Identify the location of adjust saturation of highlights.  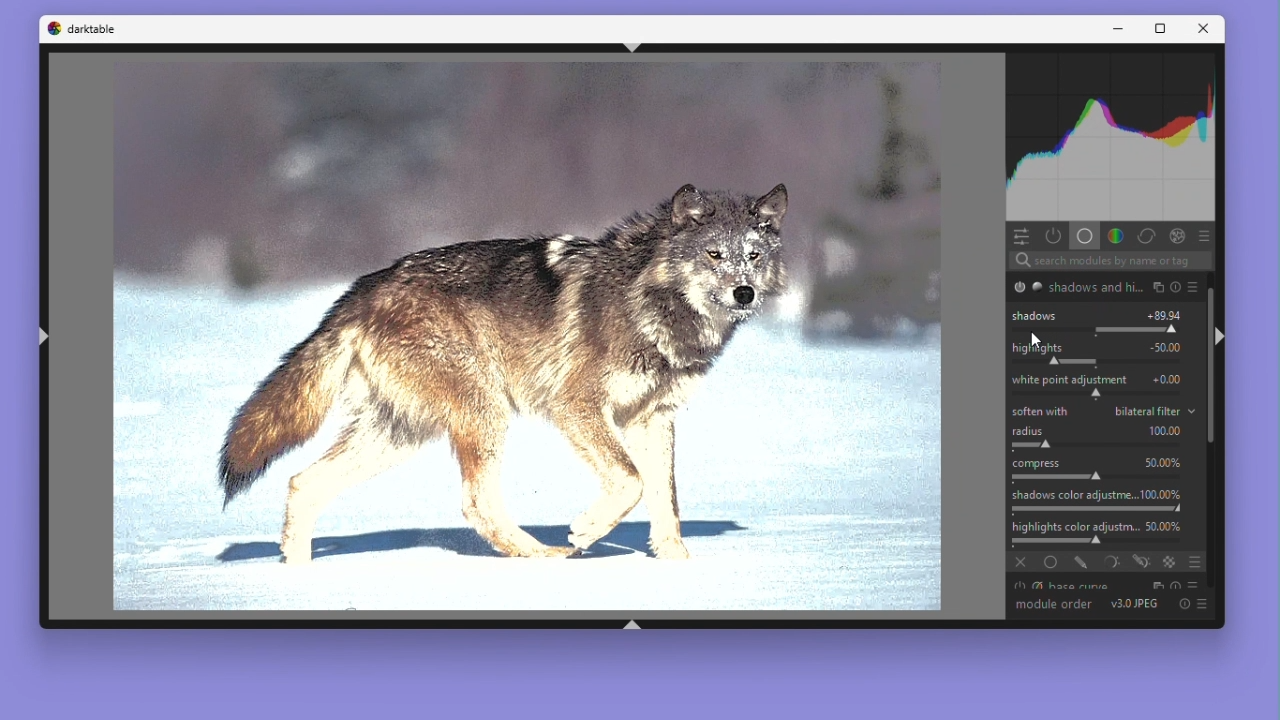
(1057, 542).